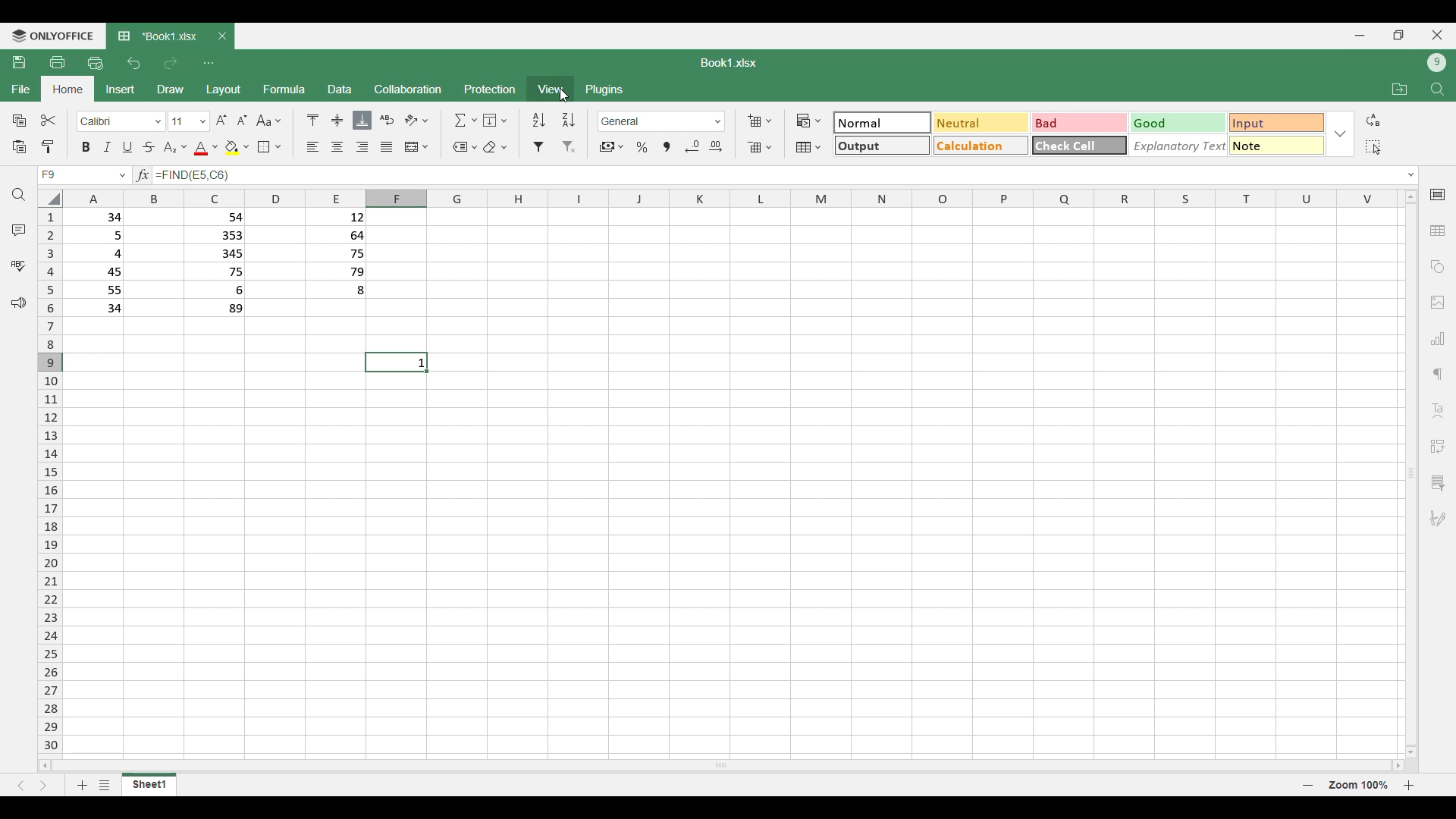 The image size is (1456, 819). I want to click on Feedback and support, so click(17, 304).